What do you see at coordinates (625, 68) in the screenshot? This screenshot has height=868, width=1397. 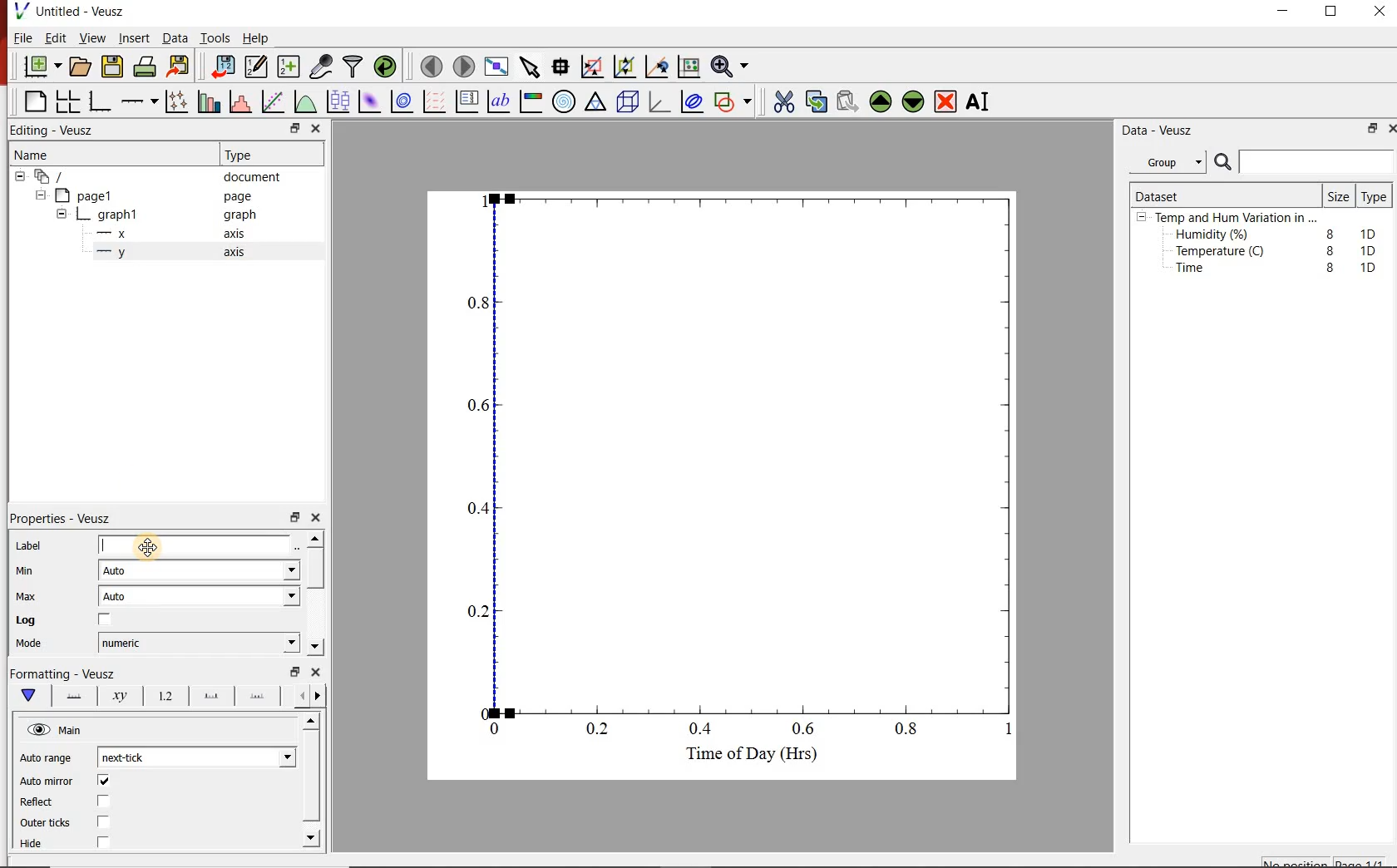 I see `click to zoom out of graph axes` at bounding box center [625, 68].